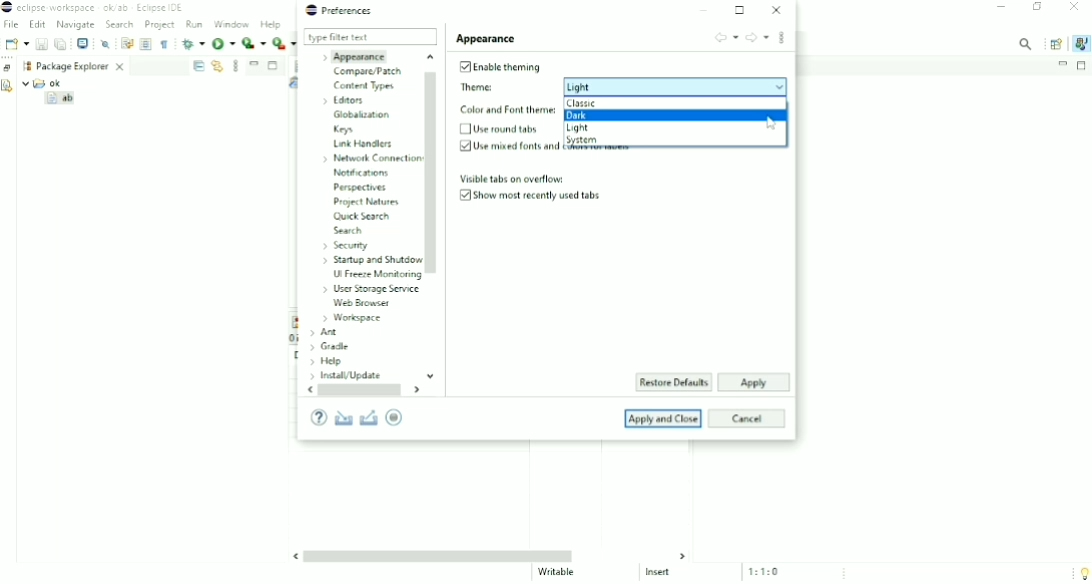 The width and height of the screenshot is (1092, 584). What do you see at coordinates (164, 44) in the screenshot?
I see `Show Whitespace Characters` at bounding box center [164, 44].